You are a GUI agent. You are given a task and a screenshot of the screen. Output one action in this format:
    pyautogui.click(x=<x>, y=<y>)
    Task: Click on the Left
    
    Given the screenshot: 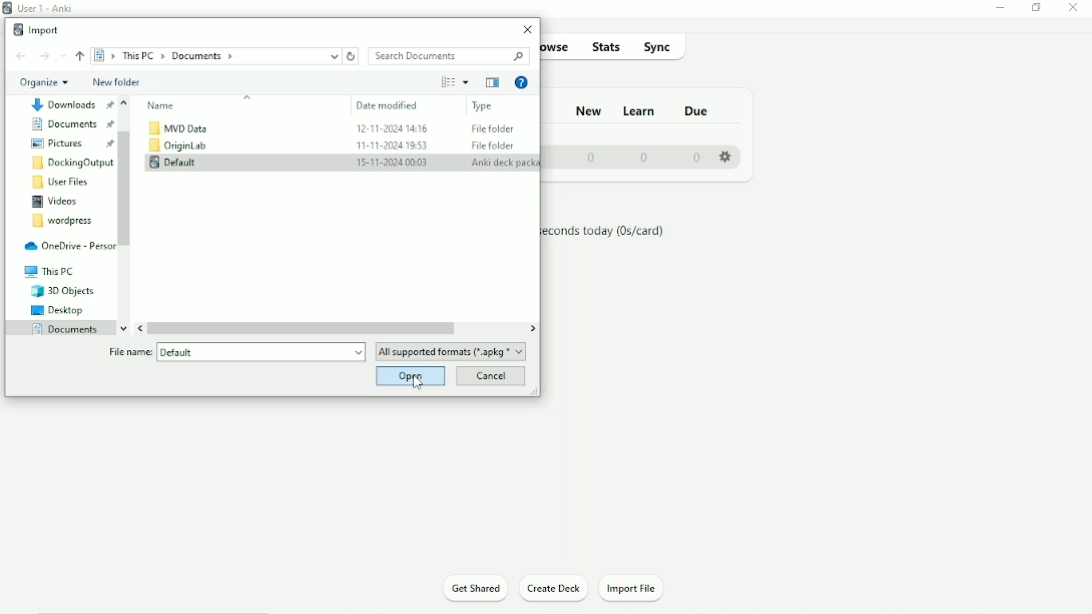 What is the action you would take?
    pyautogui.click(x=139, y=327)
    